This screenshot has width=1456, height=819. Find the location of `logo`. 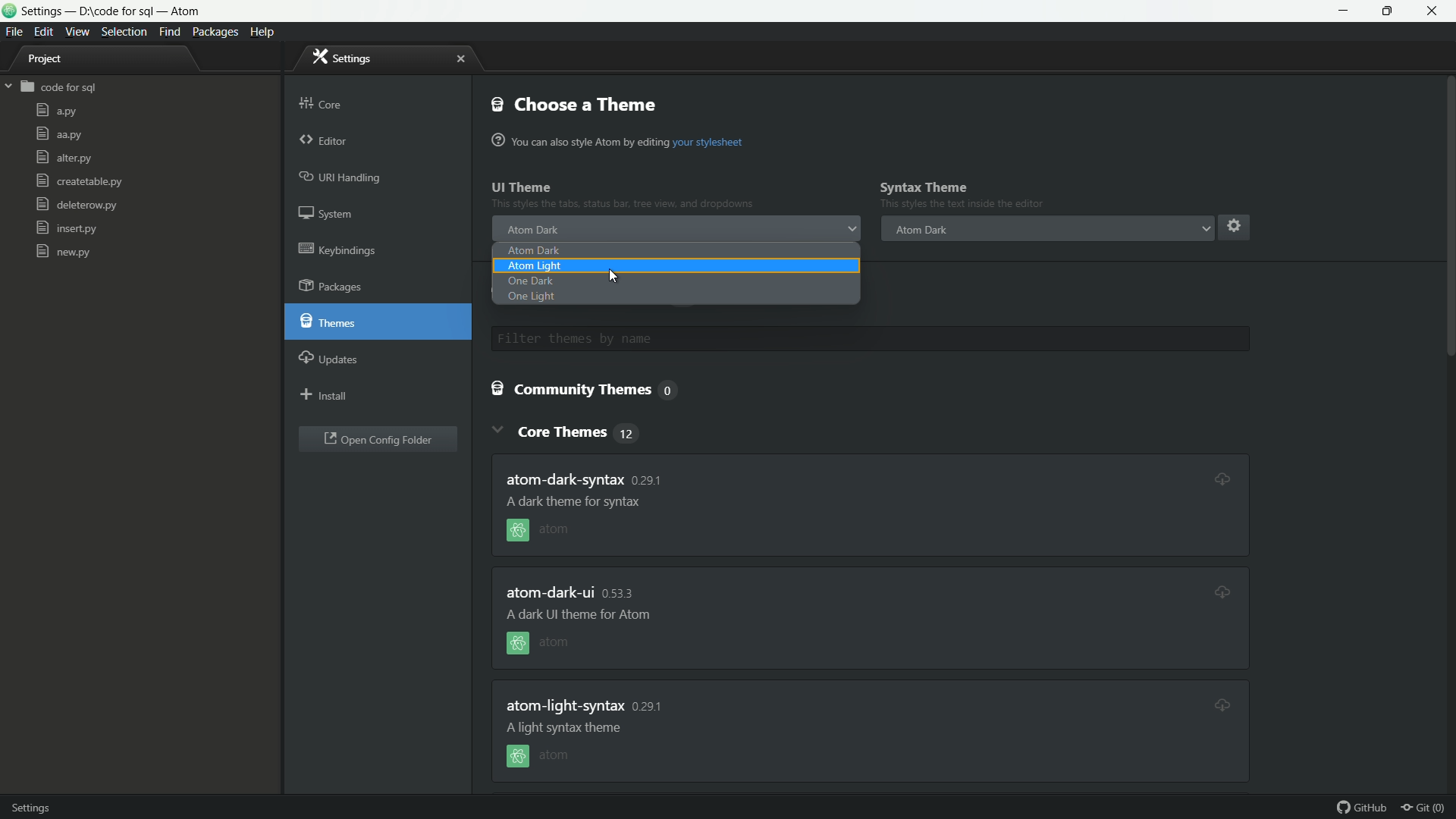

logo is located at coordinates (9, 13).